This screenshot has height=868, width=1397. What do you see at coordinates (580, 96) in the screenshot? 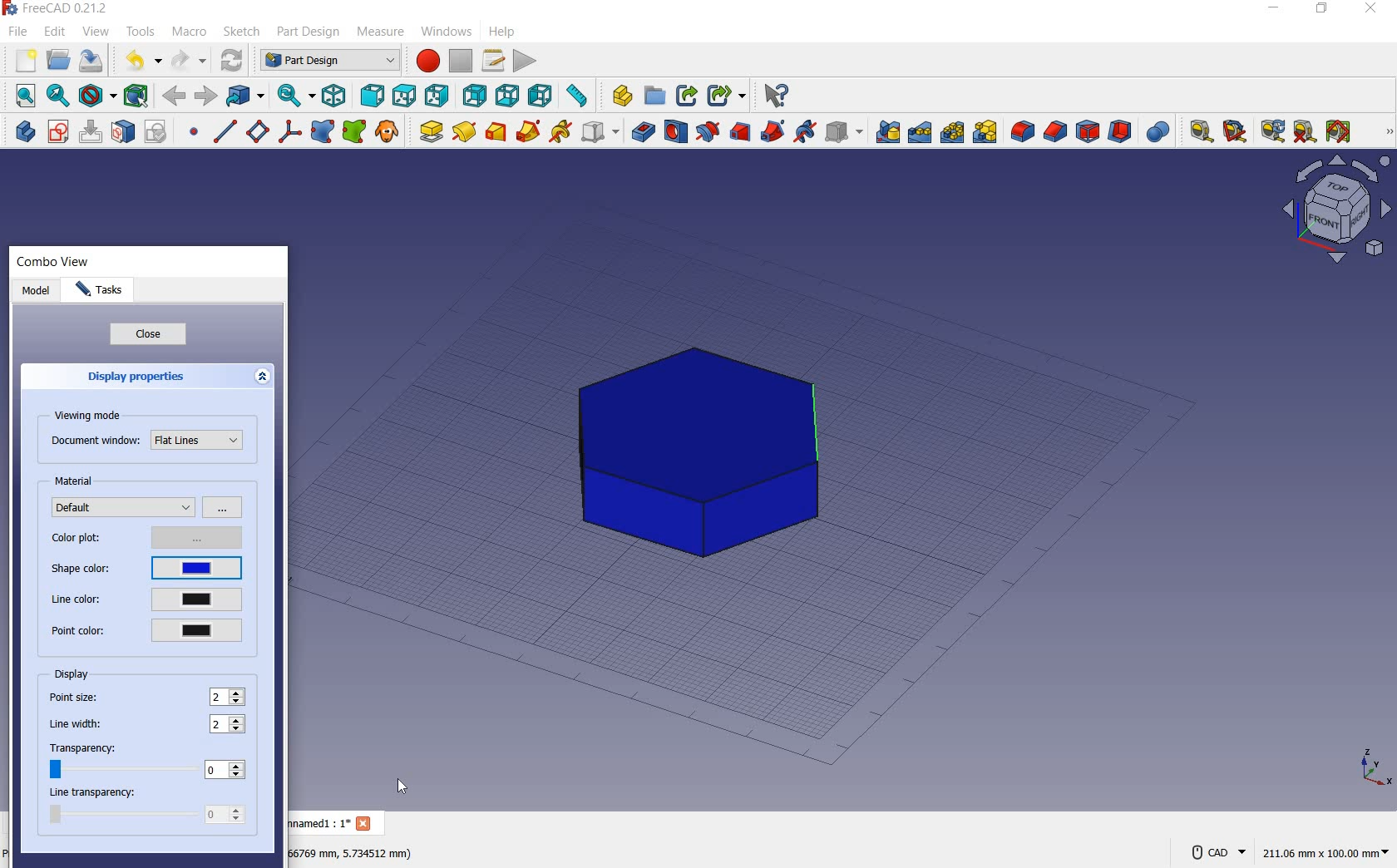
I see `measure distance` at bounding box center [580, 96].